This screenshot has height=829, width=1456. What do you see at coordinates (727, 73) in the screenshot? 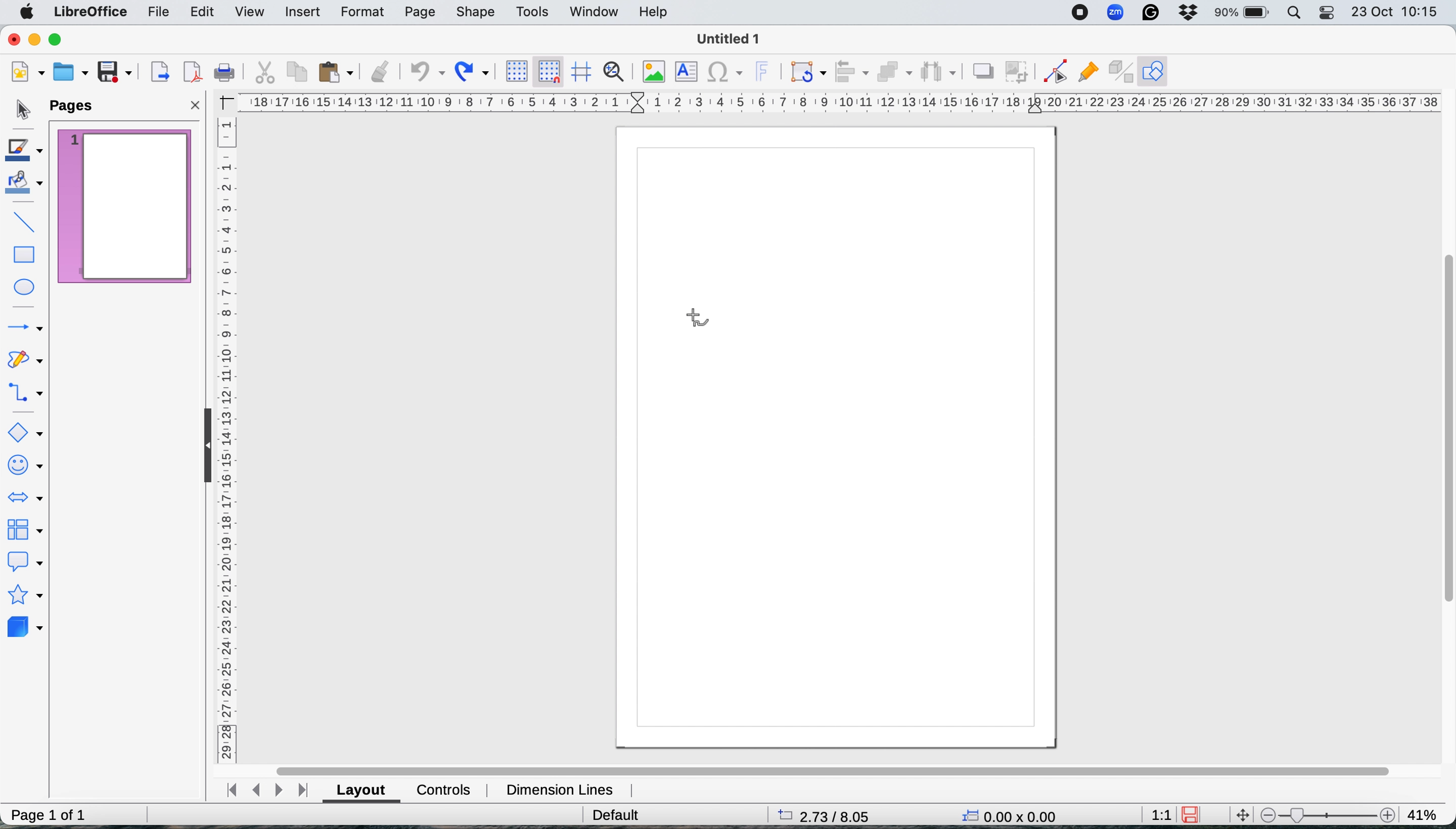
I see `insert special characters` at bounding box center [727, 73].